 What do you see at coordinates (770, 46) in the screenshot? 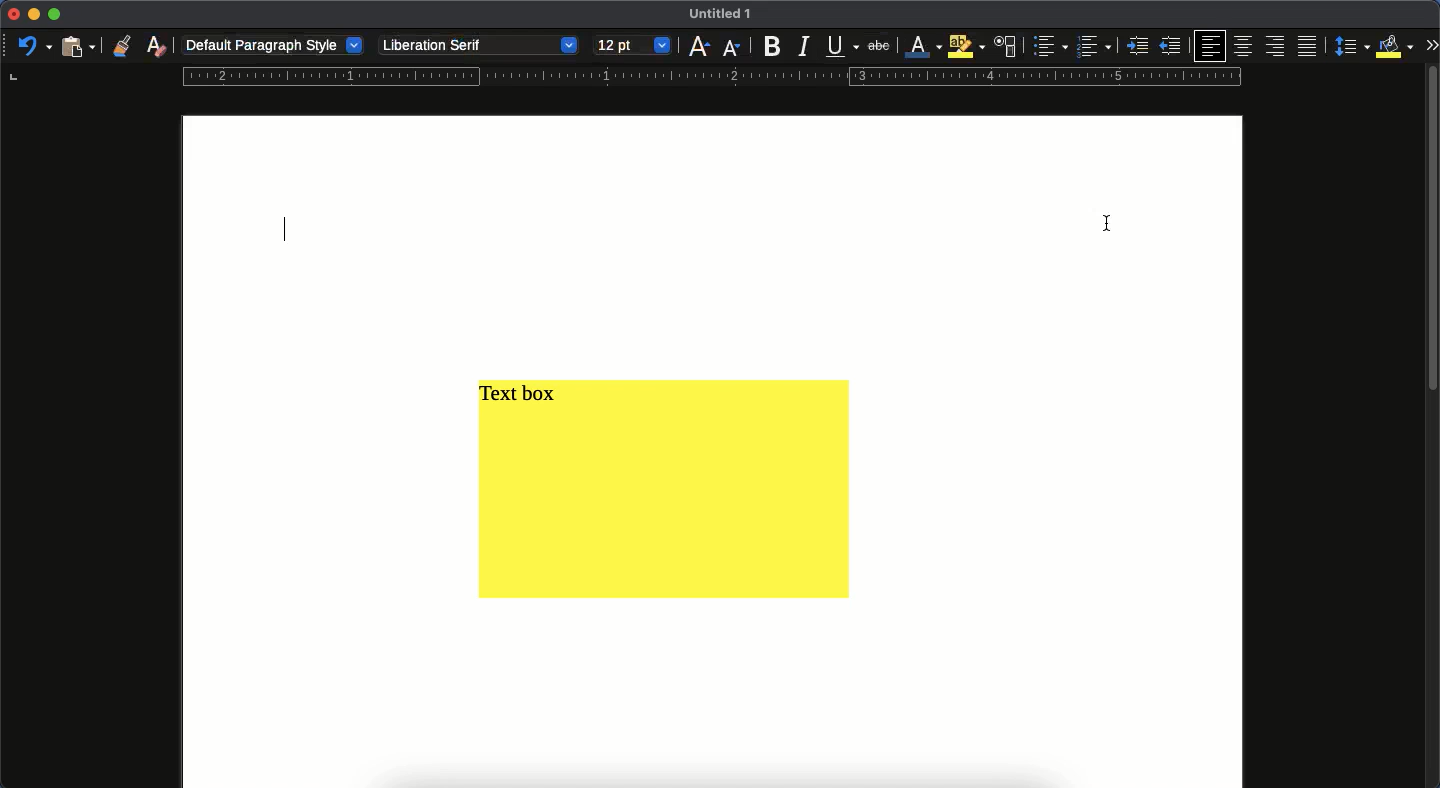
I see `bold` at bounding box center [770, 46].